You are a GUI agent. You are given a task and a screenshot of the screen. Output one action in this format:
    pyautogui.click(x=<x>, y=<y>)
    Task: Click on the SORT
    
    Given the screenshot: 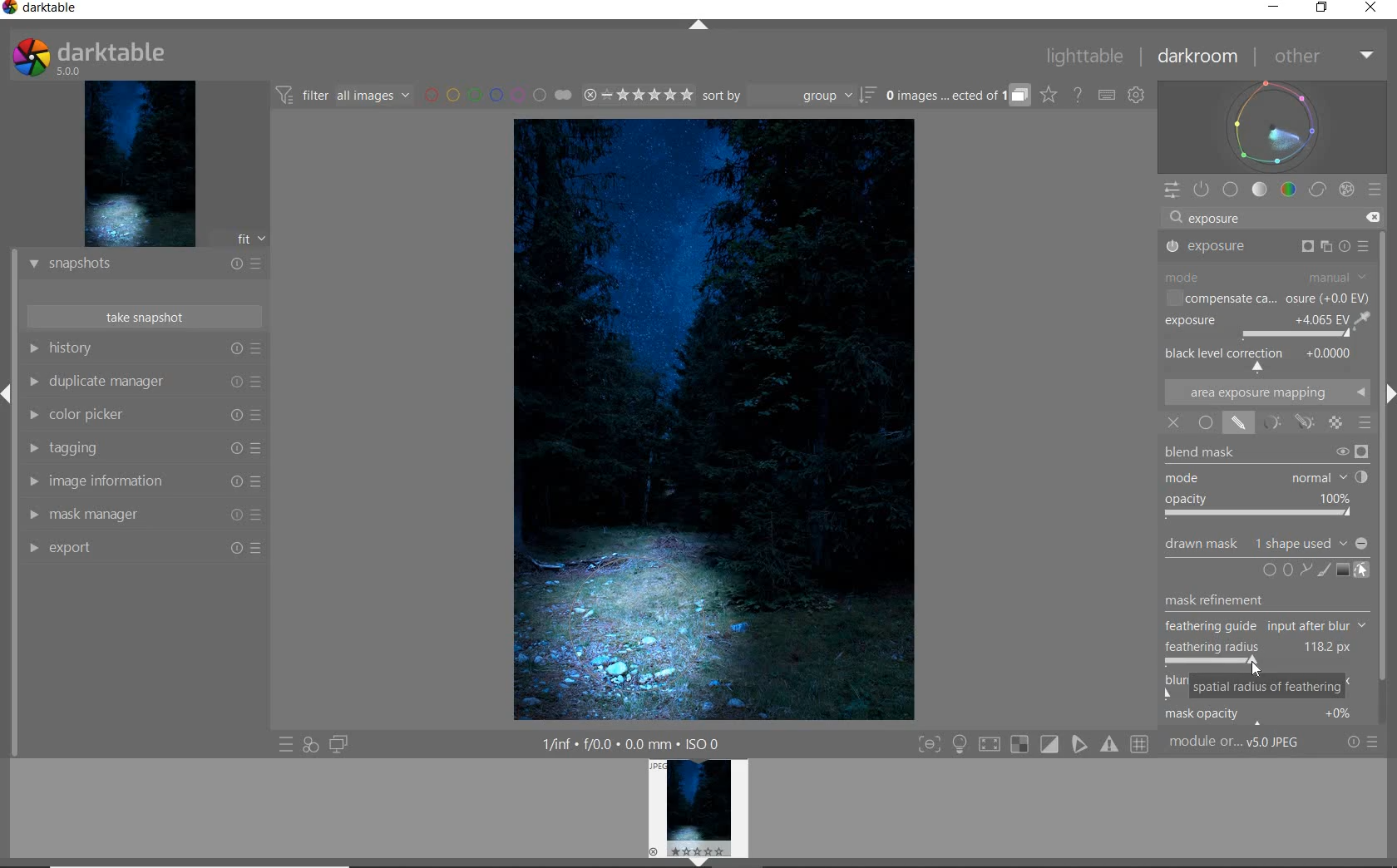 What is the action you would take?
    pyautogui.click(x=789, y=96)
    